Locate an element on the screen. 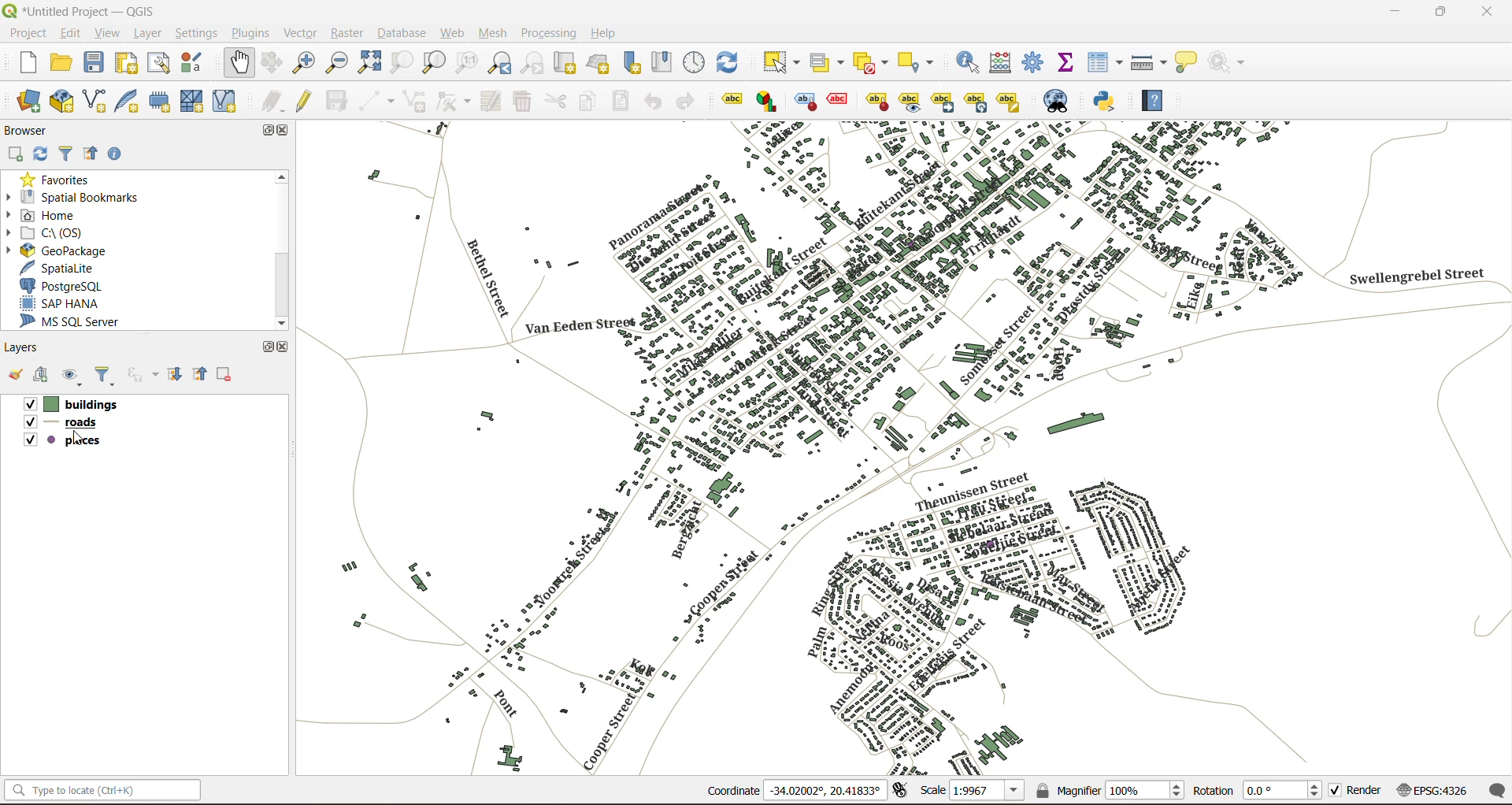  buildings layer is located at coordinates (76, 405).